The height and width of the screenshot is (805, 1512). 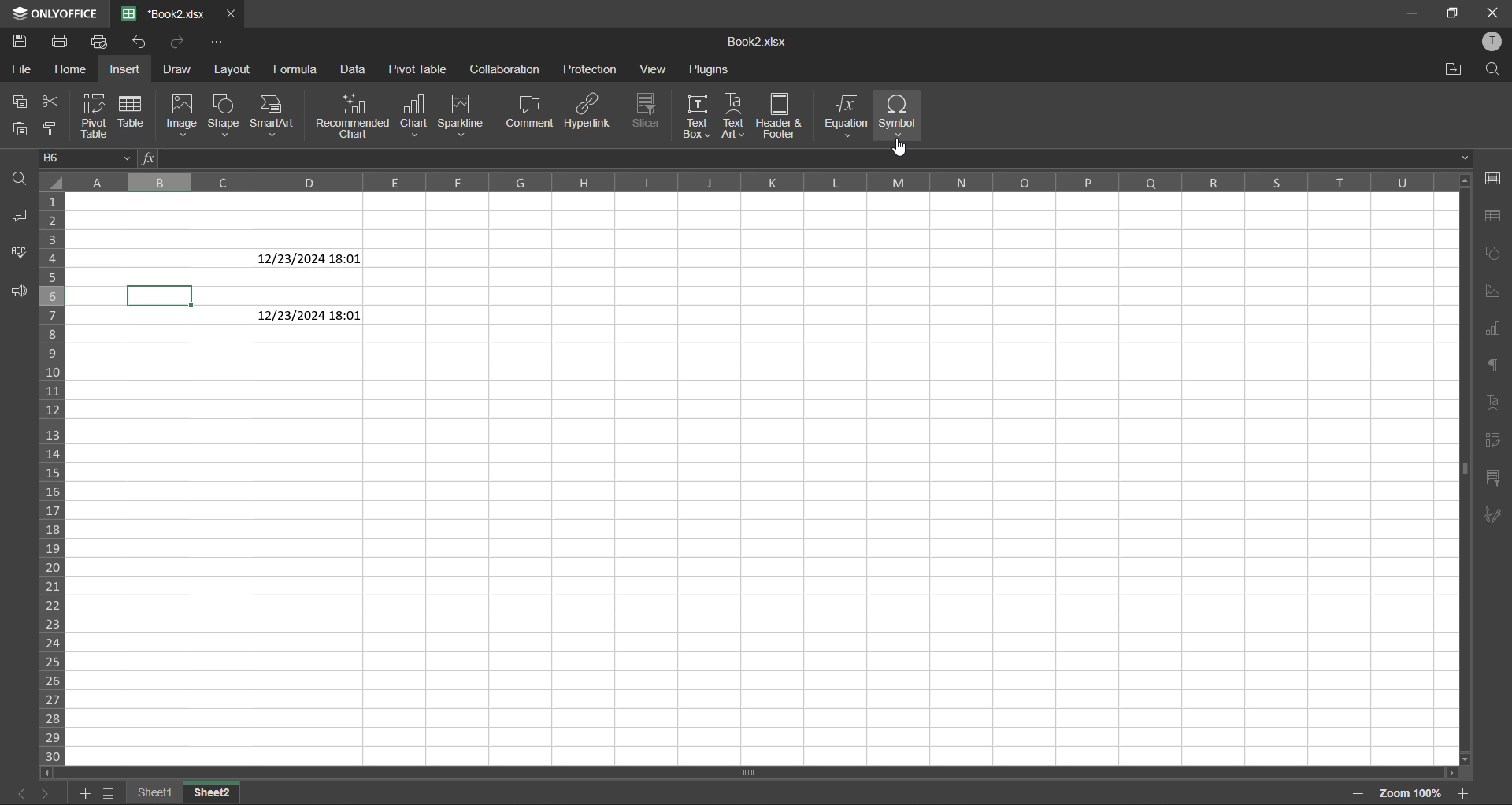 What do you see at coordinates (756, 46) in the screenshot?
I see `book2.xlsx` at bounding box center [756, 46].